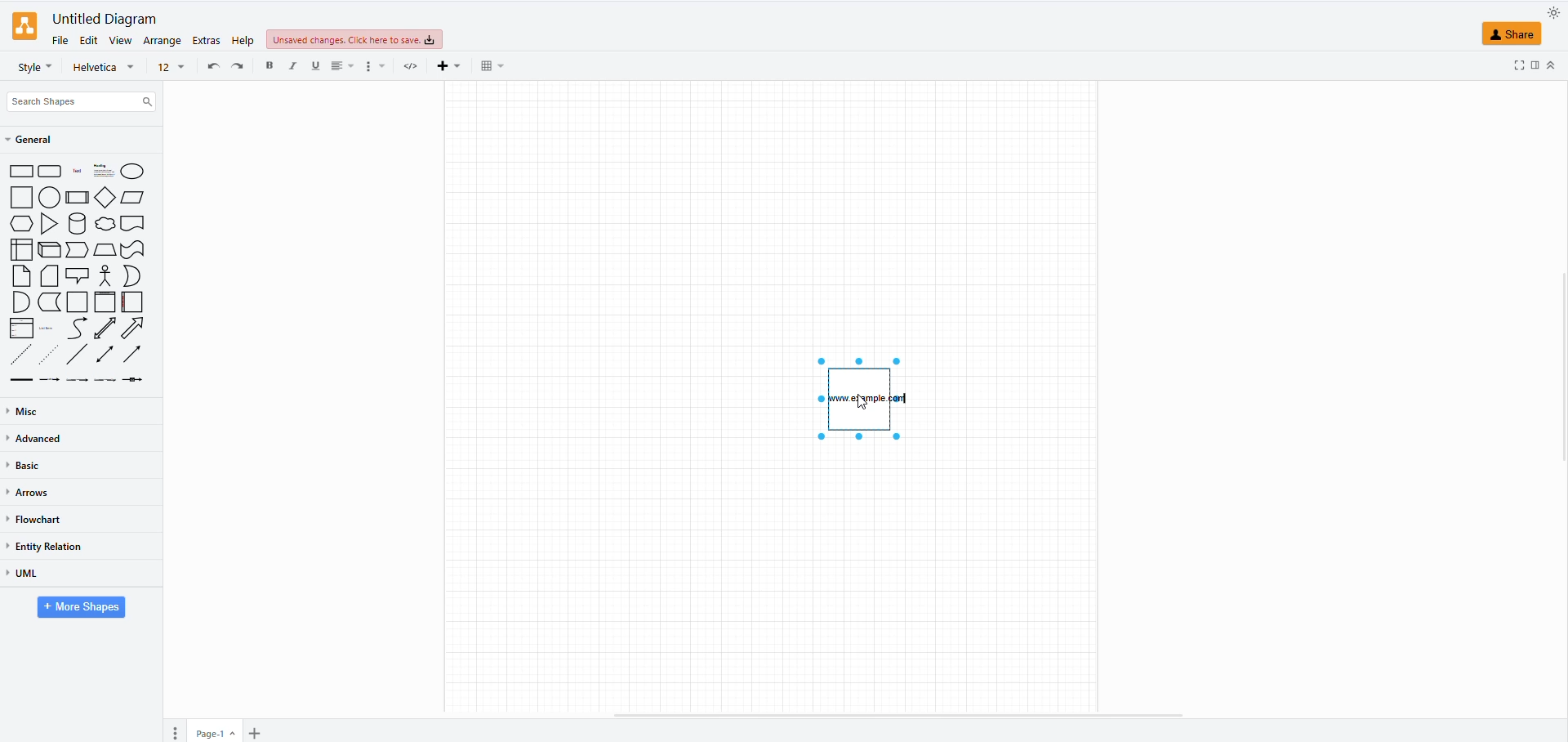 The height and width of the screenshot is (742, 1568). Describe the element at coordinates (1548, 14) in the screenshot. I see `appearance` at that location.